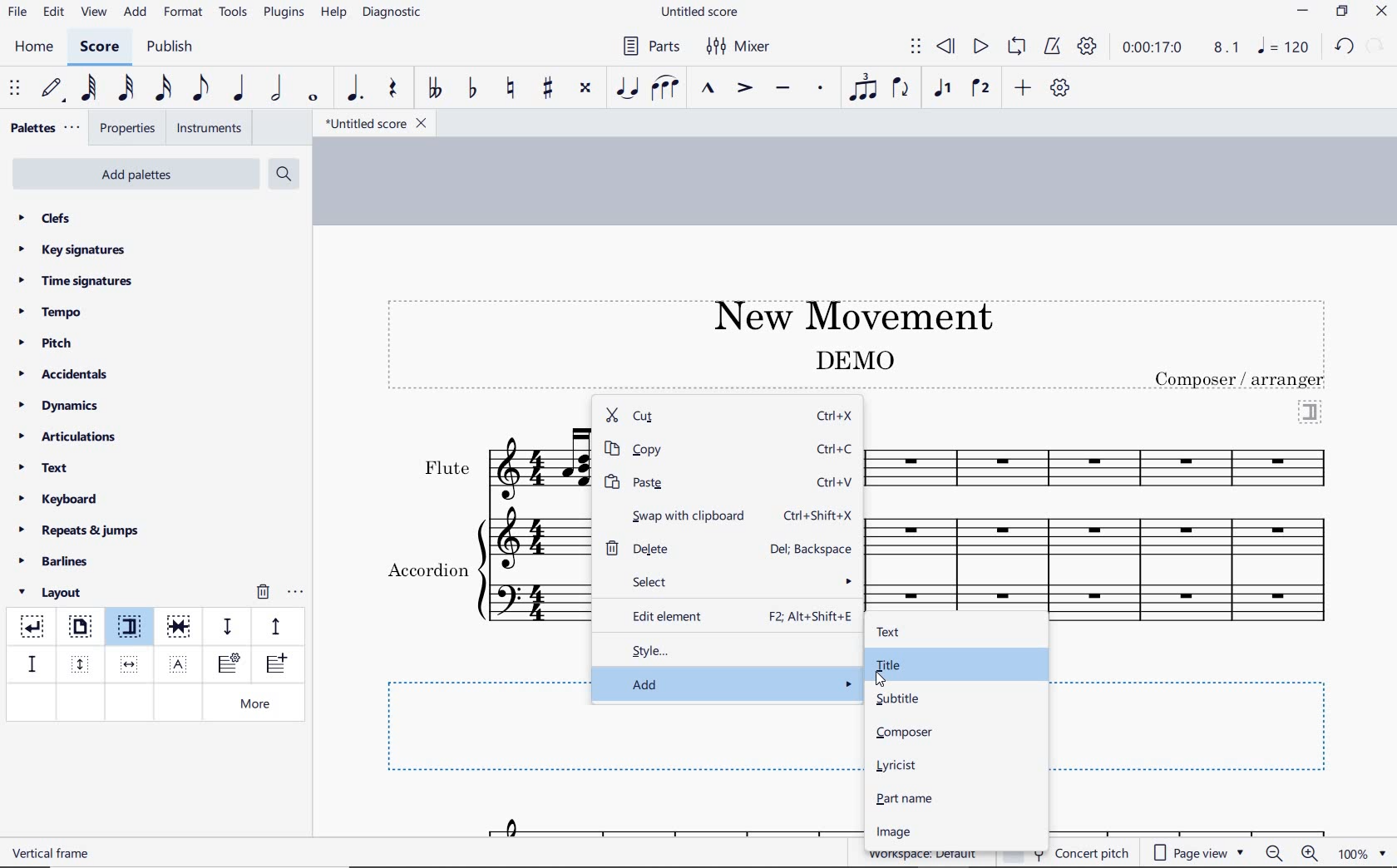 The height and width of the screenshot is (868, 1397). Describe the element at coordinates (82, 663) in the screenshot. I see `insert vertical frame` at that location.